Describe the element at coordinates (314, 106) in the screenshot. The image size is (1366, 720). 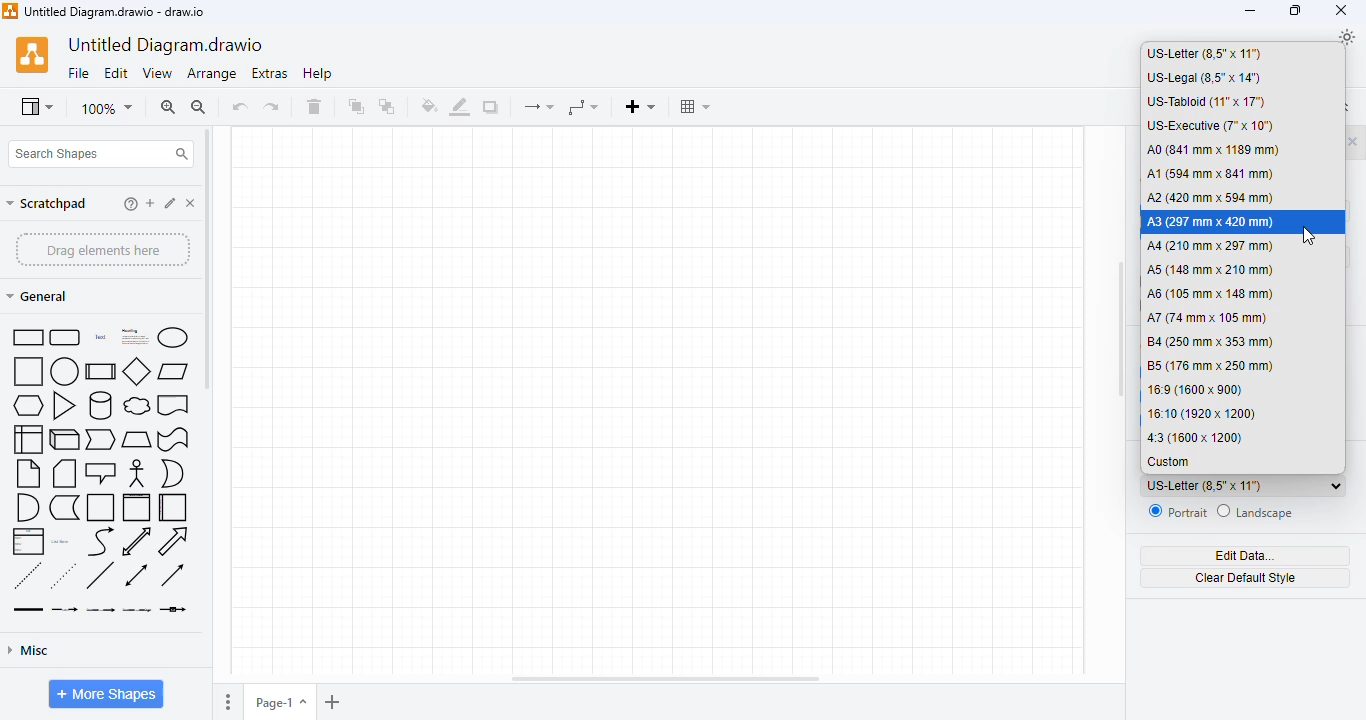
I see `delete` at that location.